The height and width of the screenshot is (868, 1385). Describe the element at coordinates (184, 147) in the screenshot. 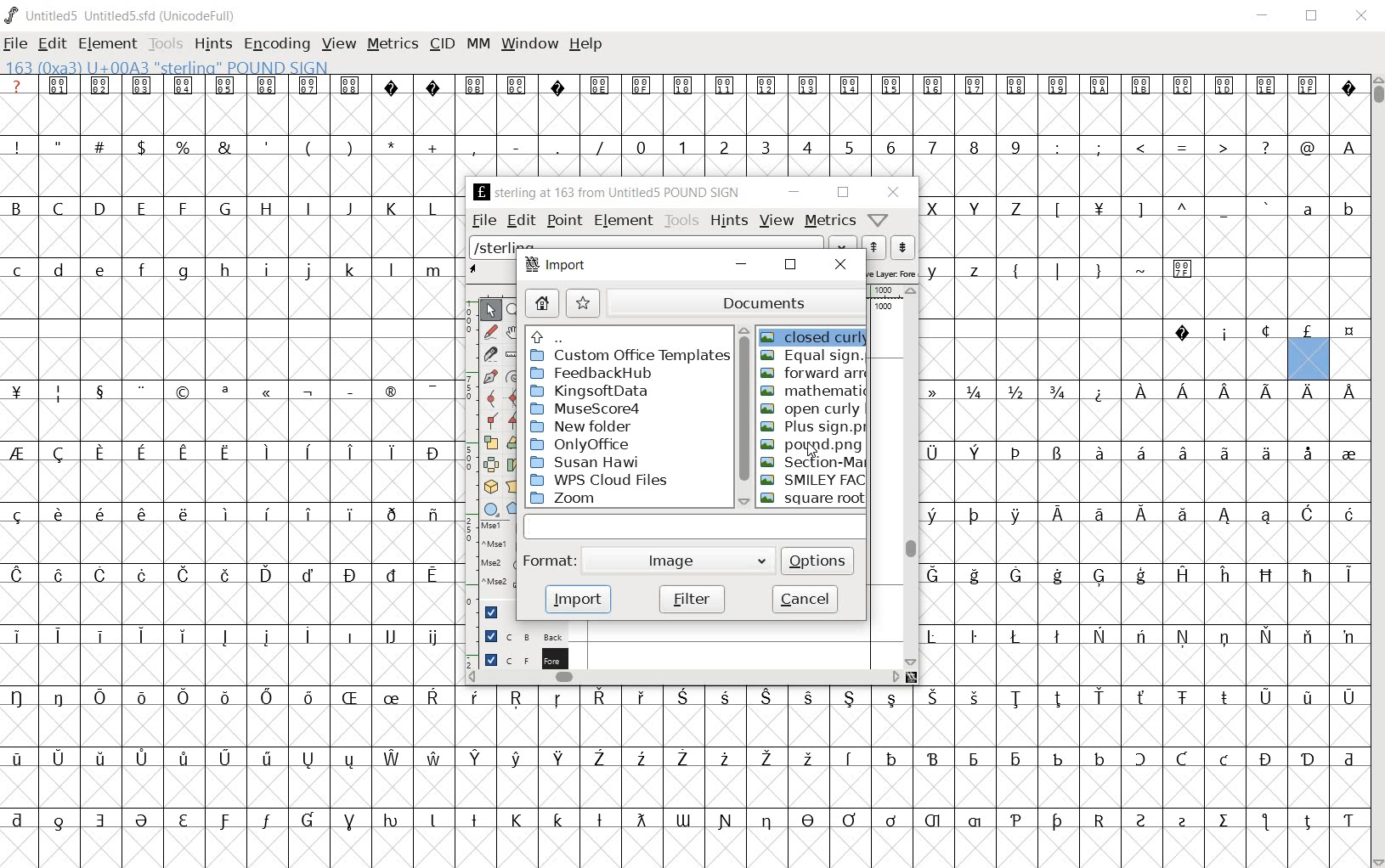

I see `%` at that location.